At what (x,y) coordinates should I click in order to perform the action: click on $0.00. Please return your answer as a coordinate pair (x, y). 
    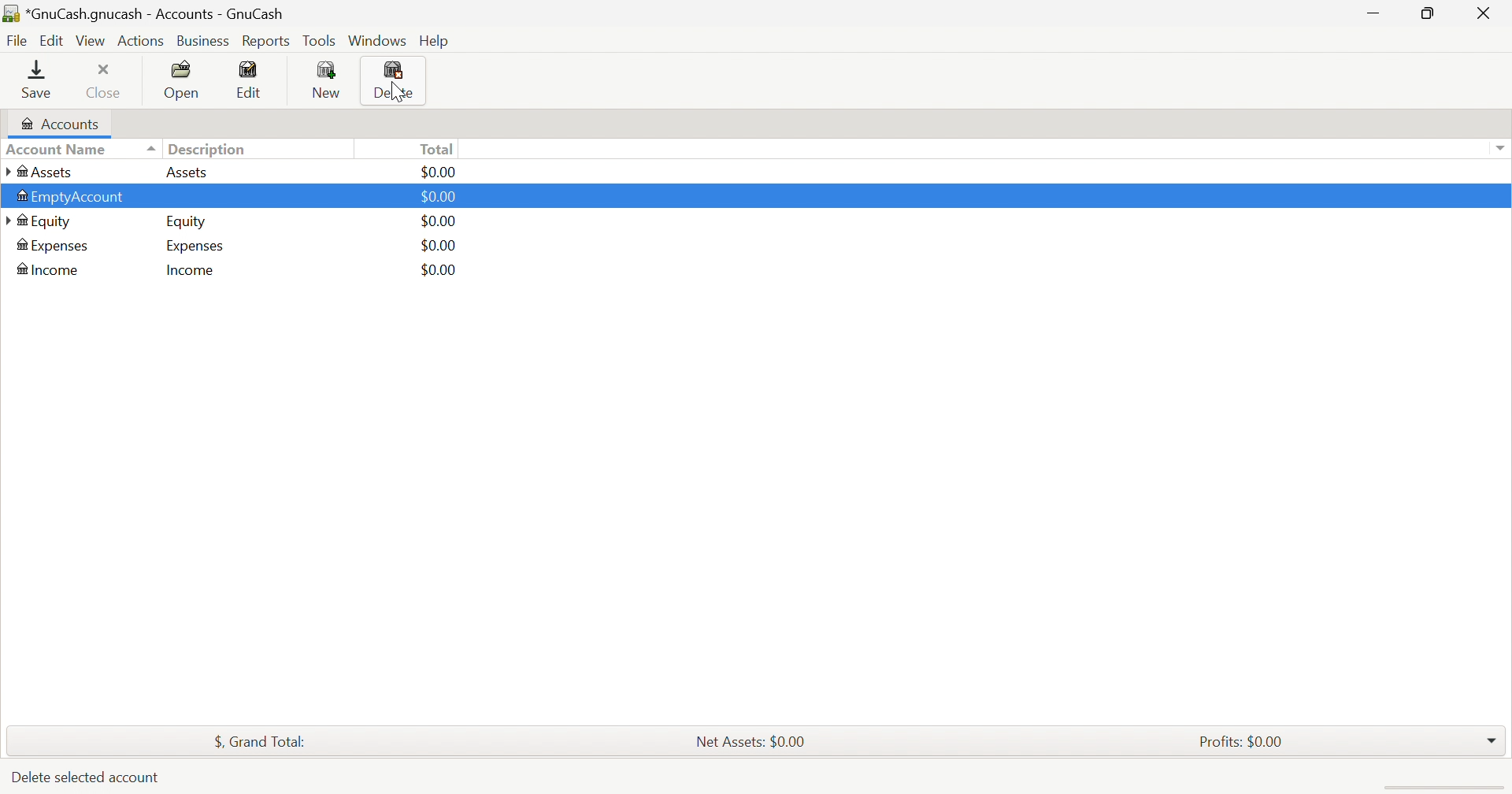
    Looking at the image, I should click on (438, 247).